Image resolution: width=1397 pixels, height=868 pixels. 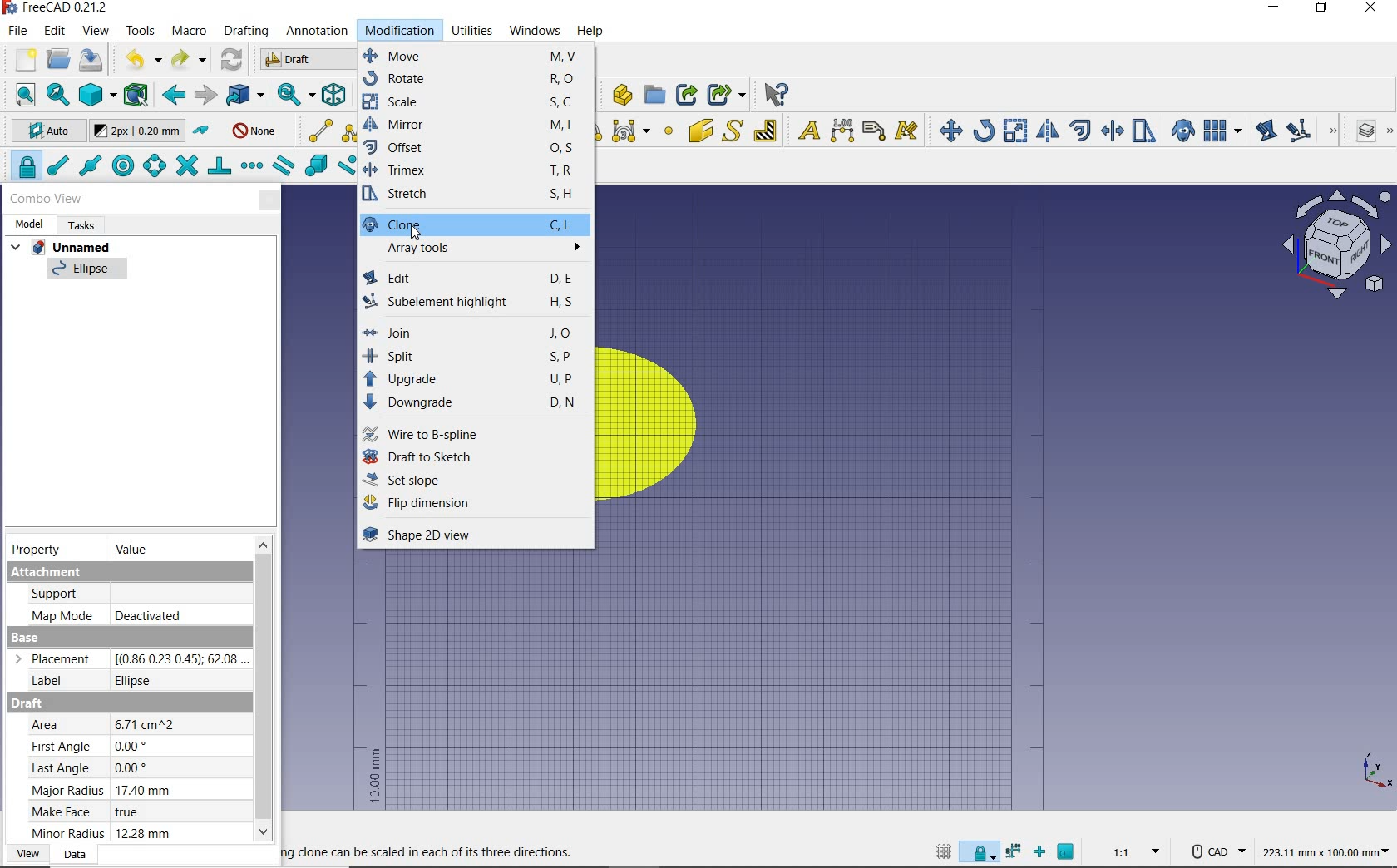 I want to click on tasks, so click(x=86, y=226).